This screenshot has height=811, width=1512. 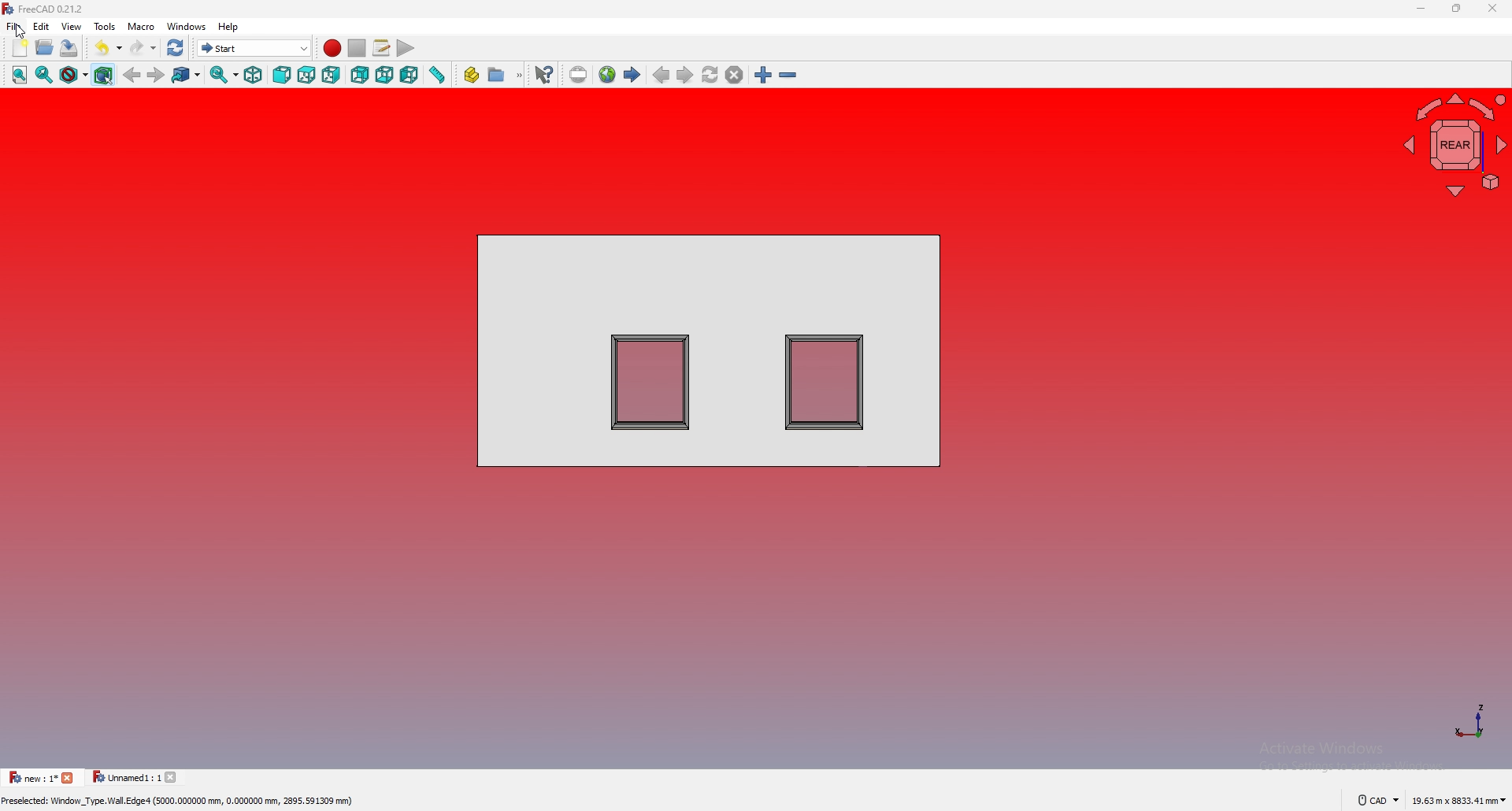 What do you see at coordinates (254, 47) in the screenshot?
I see `switch between workbenches` at bounding box center [254, 47].